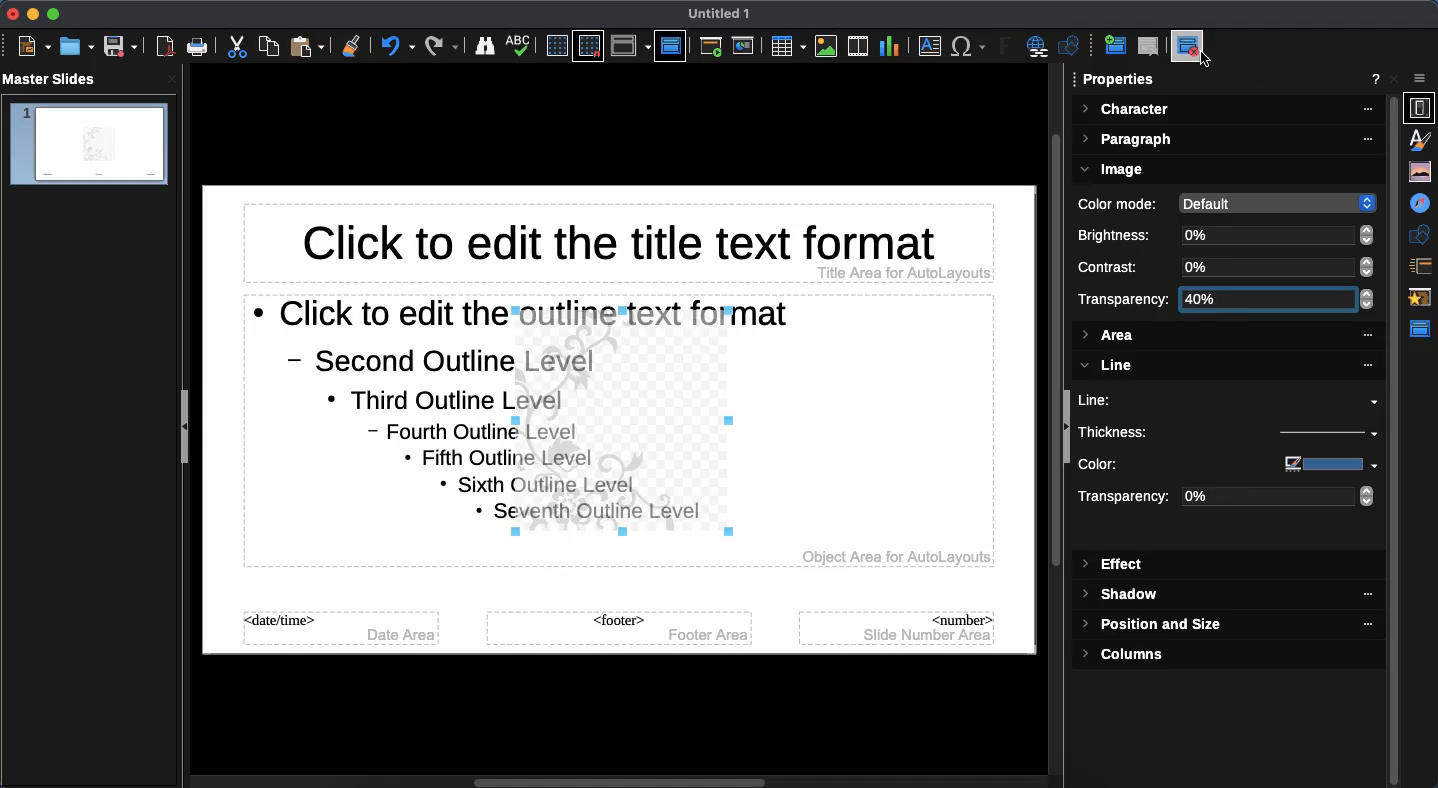 The image size is (1438, 788). What do you see at coordinates (351, 46) in the screenshot?
I see `Clean formatting` at bounding box center [351, 46].